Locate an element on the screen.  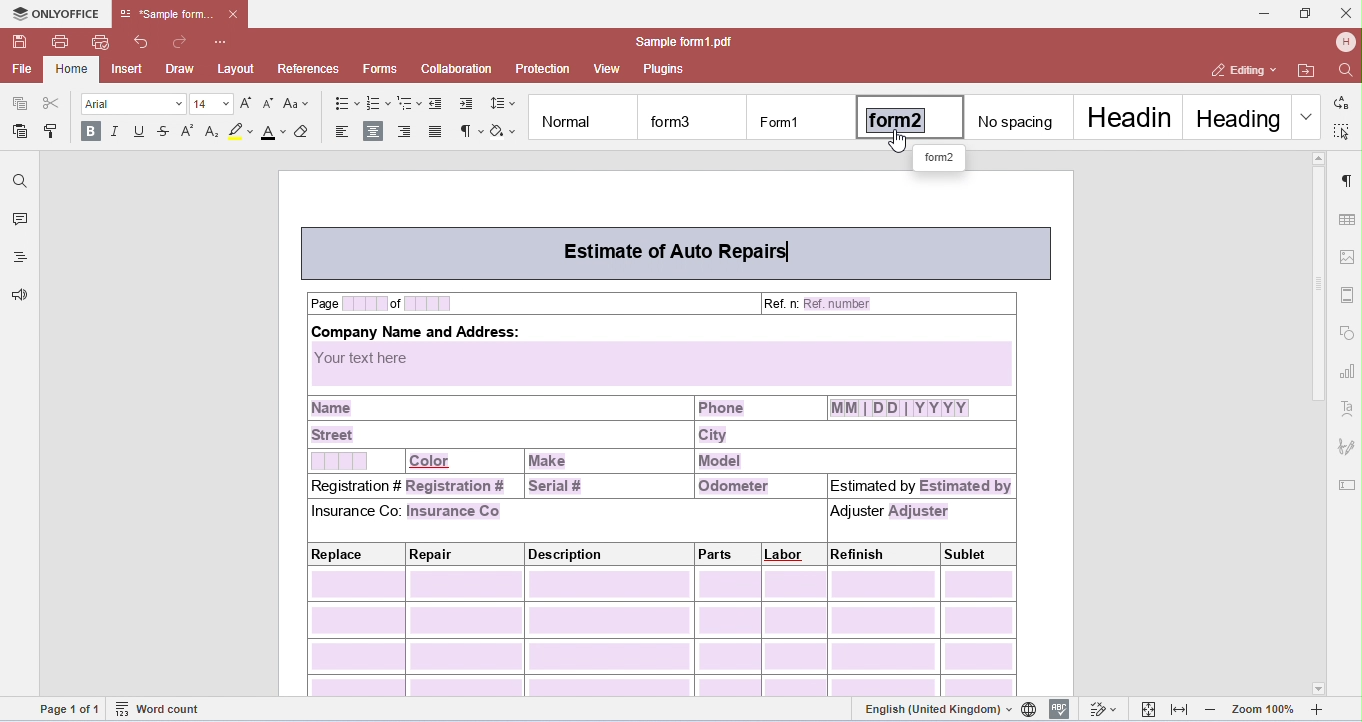
find is located at coordinates (1342, 68).